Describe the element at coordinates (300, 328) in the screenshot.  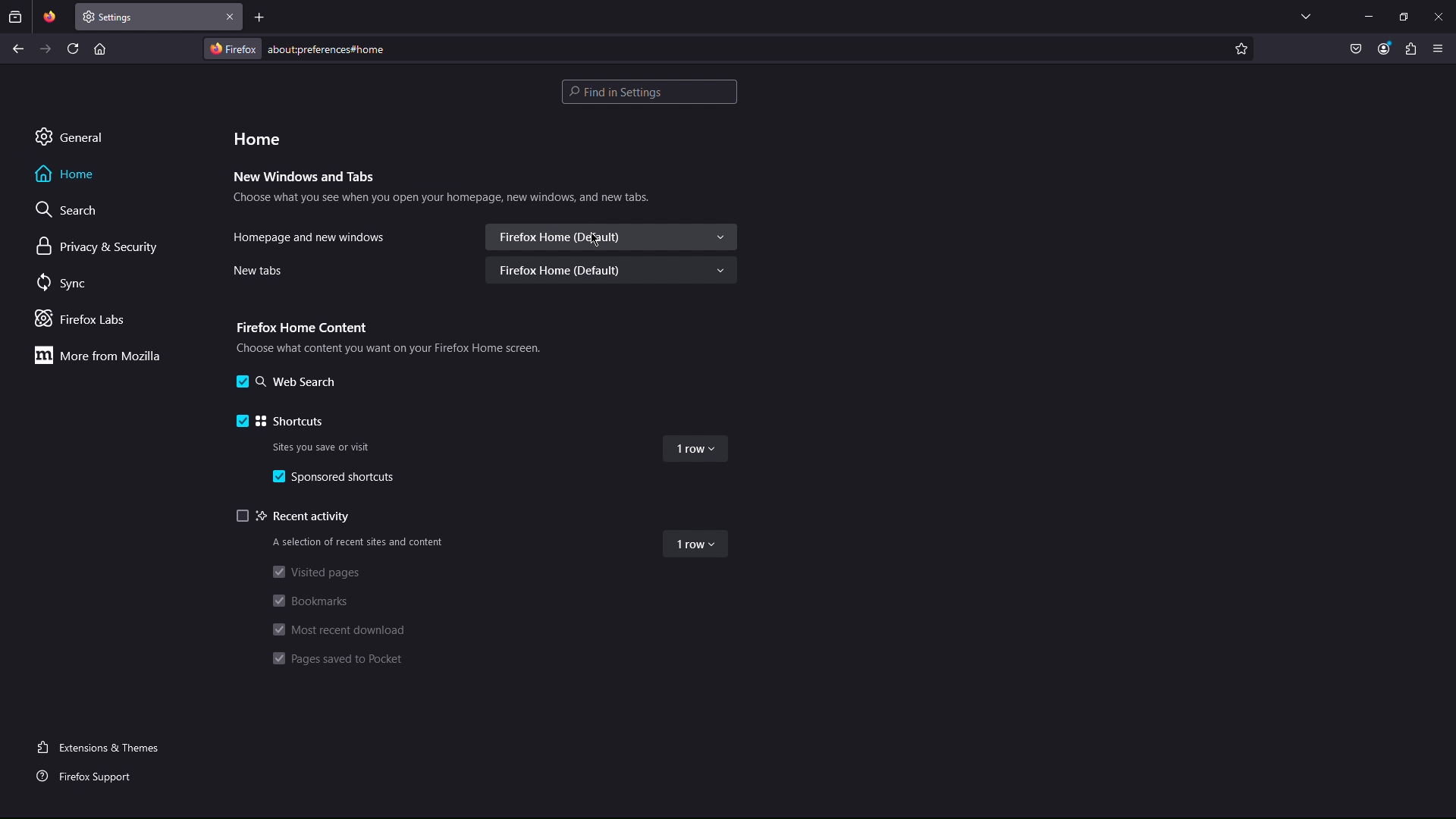
I see `Firefox Home Content` at that location.